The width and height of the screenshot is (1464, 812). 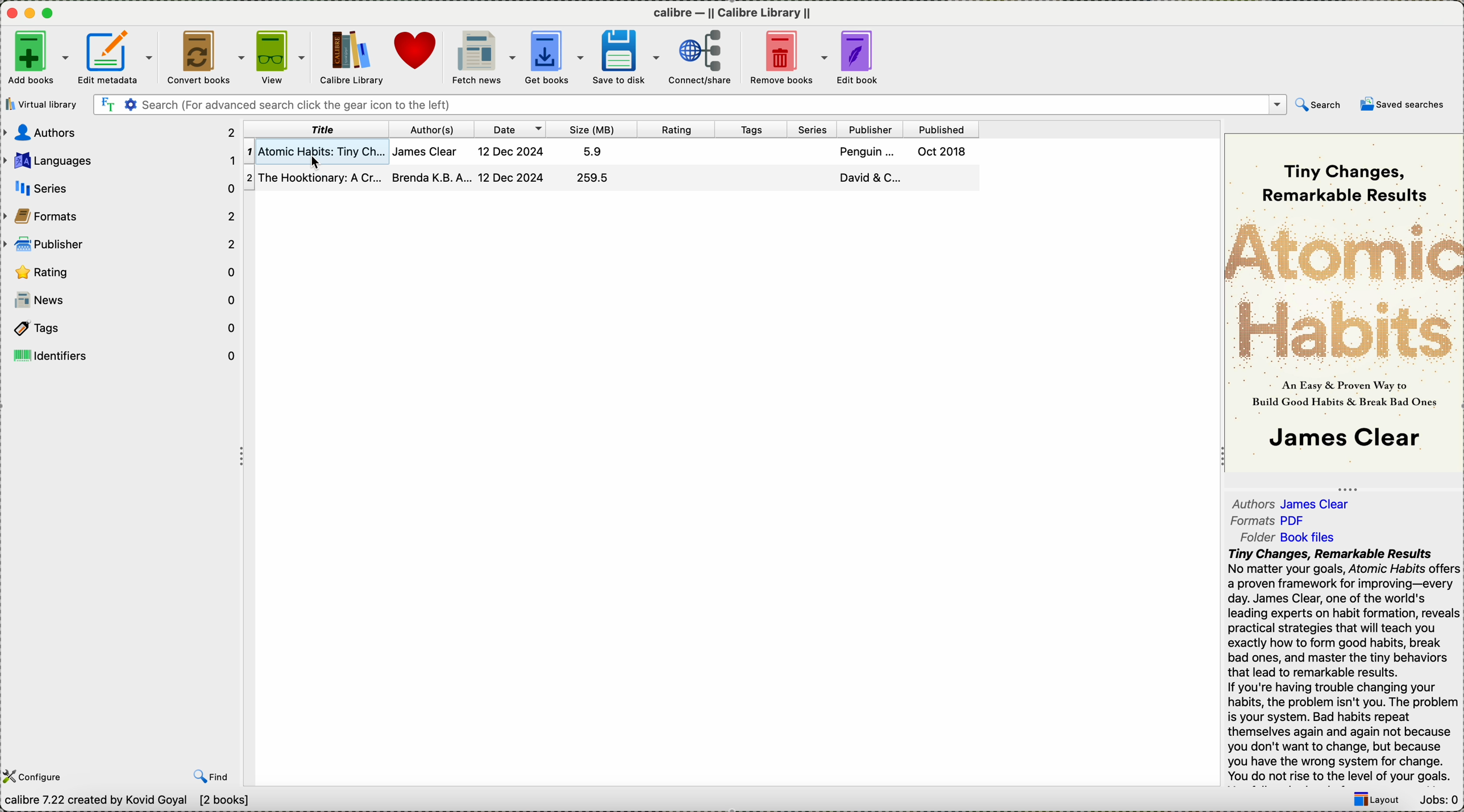 What do you see at coordinates (1341, 664) in the screenshot?
I see `Tiny Changes, Remarkable ResultsNo matter your goals, Atomic Habits offersa proven framework for improving—everyday. James Clear, one of the world'sleading experts on habit formation, revealspractical strategies that will teach youexactly how to form good habits, breakbad ones, and master the tiny behaviorsthat lead to remarkable results.If you're having trouble changing yourhabits, the problem isn't you. The problemis your system. Bad habits repeatthemselves again and again not becauseyou don't want to change, but becauseyou have the wrong system for change.You do not rise to the level of your goals.` at bounding box center [1341, 664].